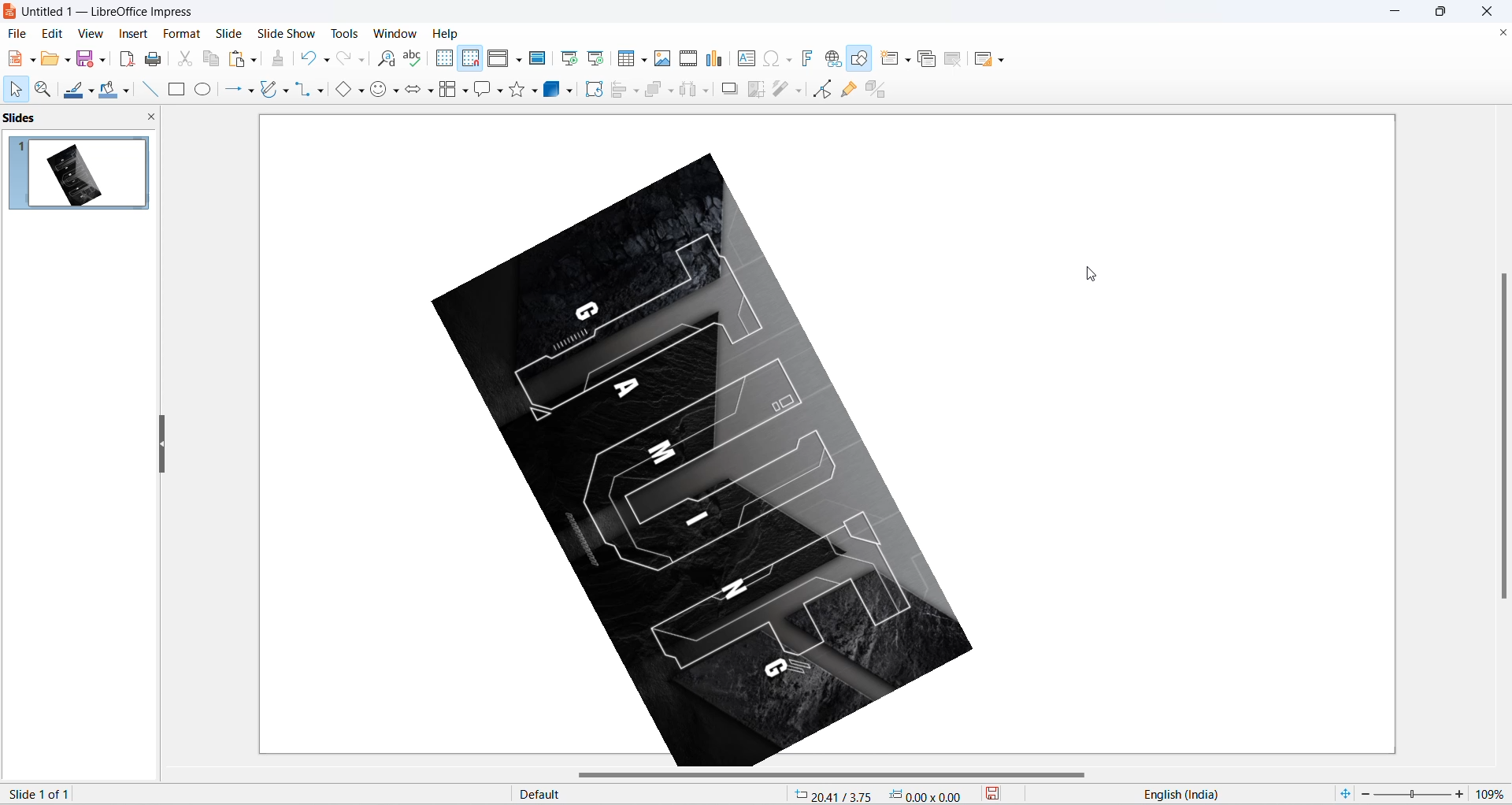  Describe the element at coordinates (852, 89) in the screenshot. I see `show gluepoint functions` at that location.